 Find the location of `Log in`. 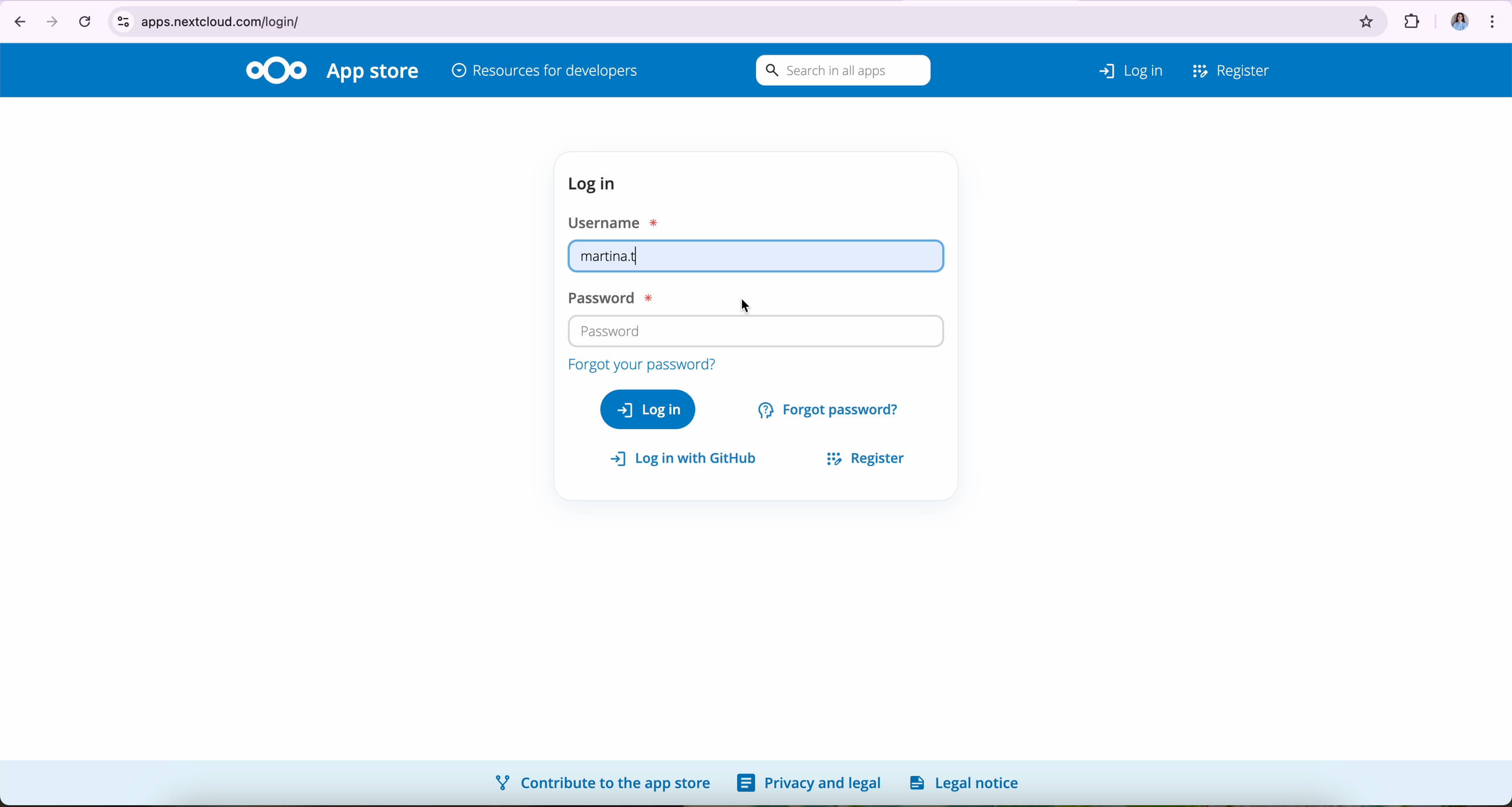

Log in is located at coordinates (1115, 67).